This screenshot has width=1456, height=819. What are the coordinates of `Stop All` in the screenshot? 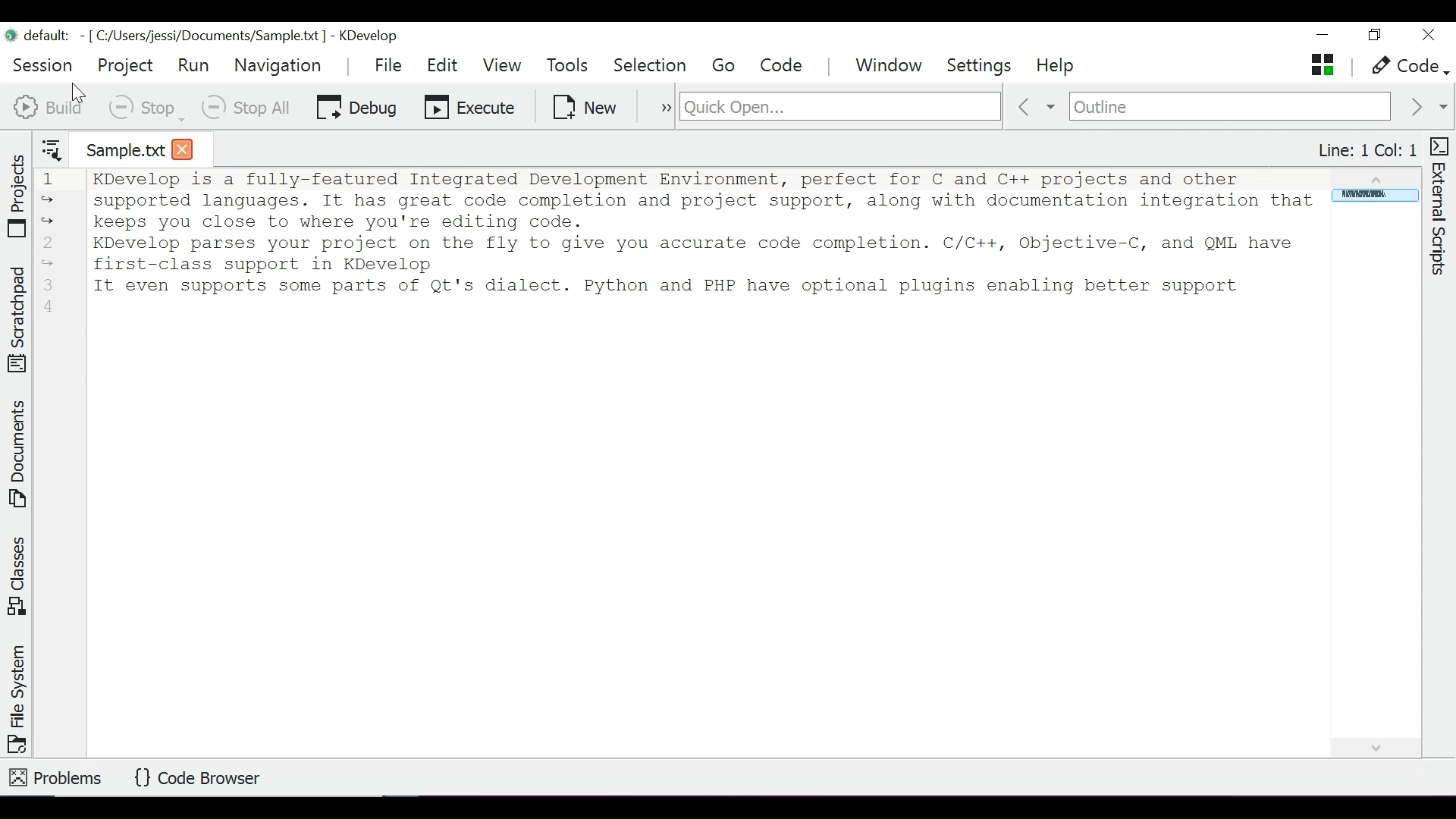 It's located at (249, 108).